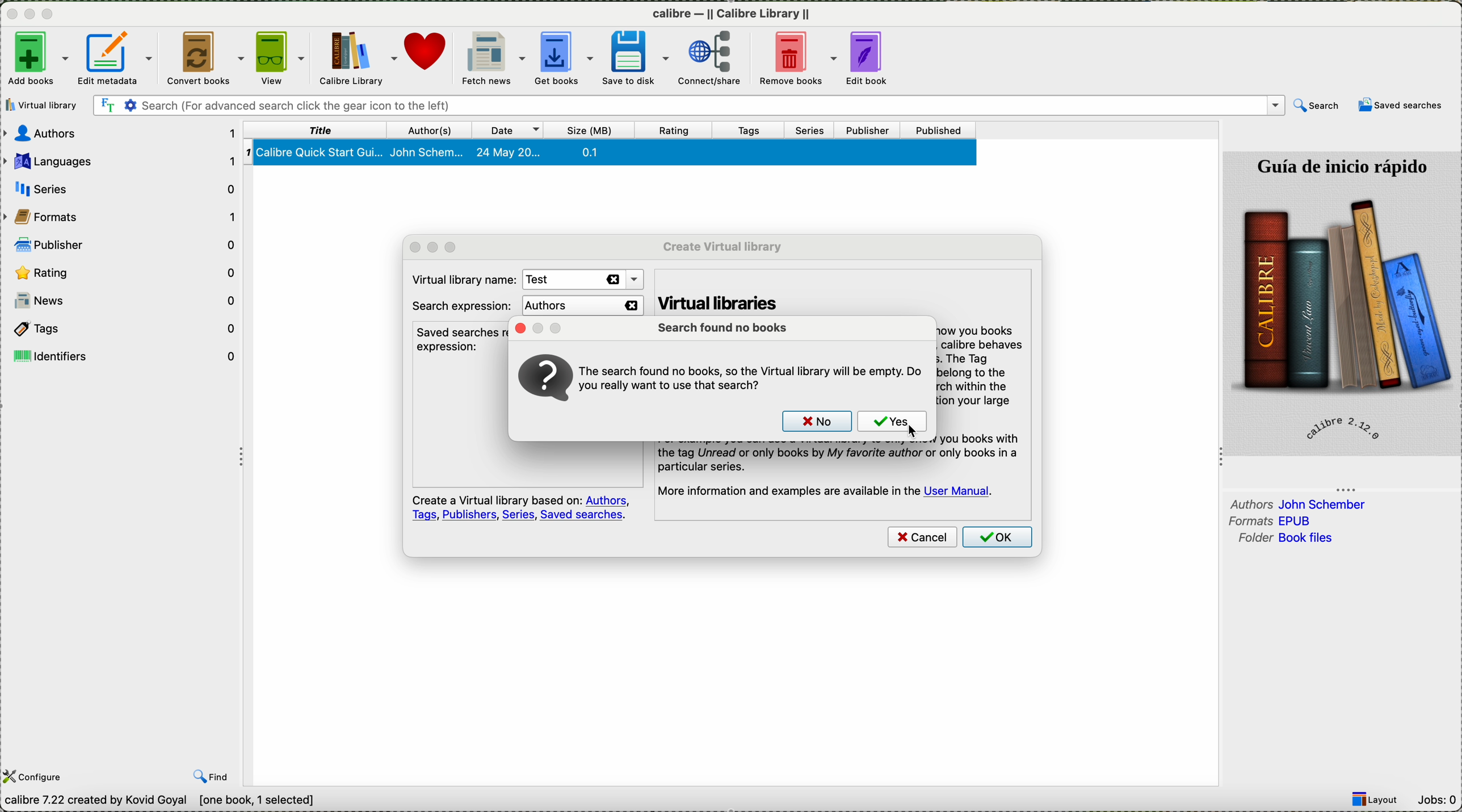 The width and height of the screenshot is (1462, 812). I want to click on edit metadata, so click(117, 58).